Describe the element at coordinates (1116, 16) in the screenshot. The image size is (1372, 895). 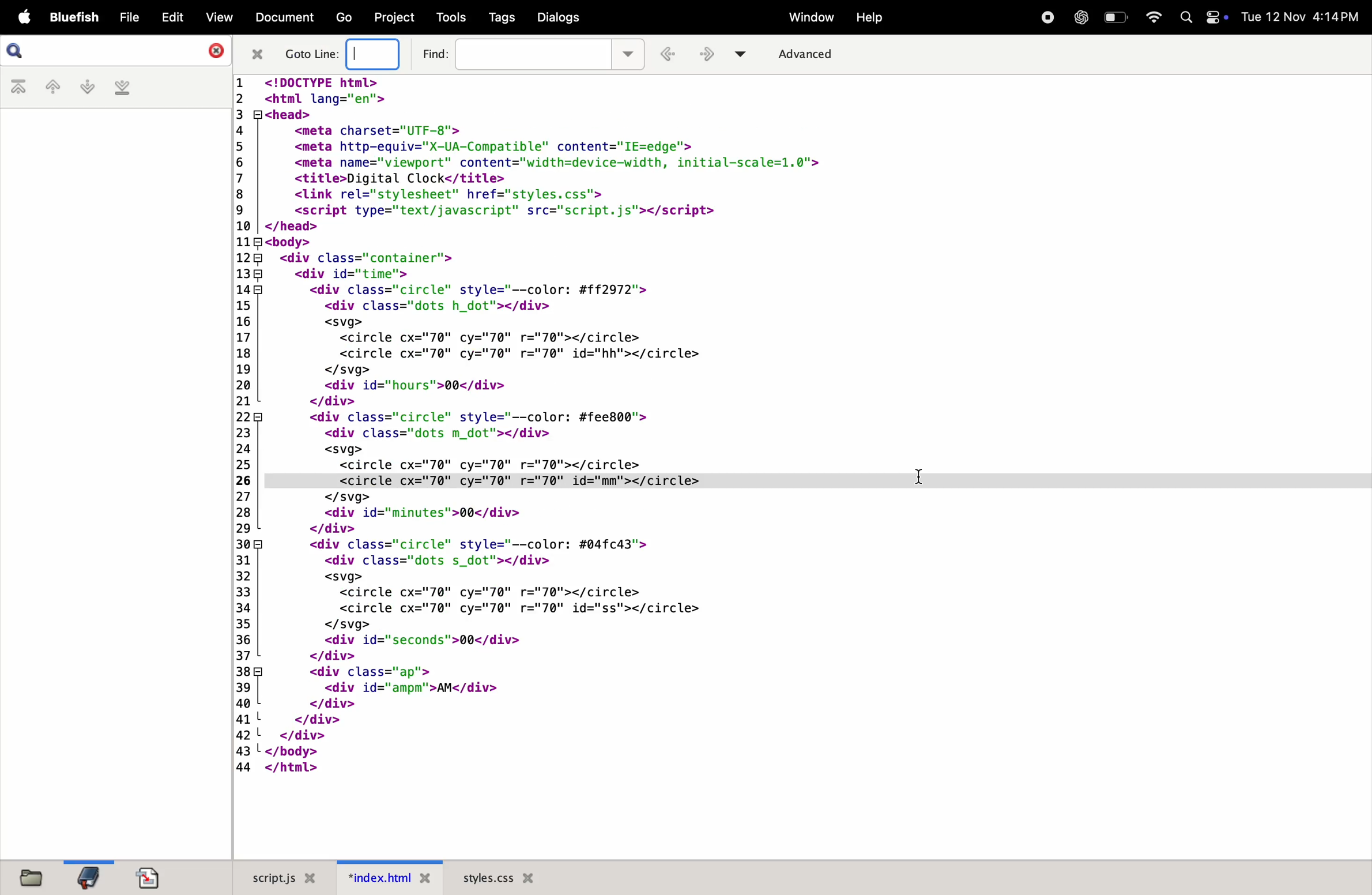
I see `battery` at that location.